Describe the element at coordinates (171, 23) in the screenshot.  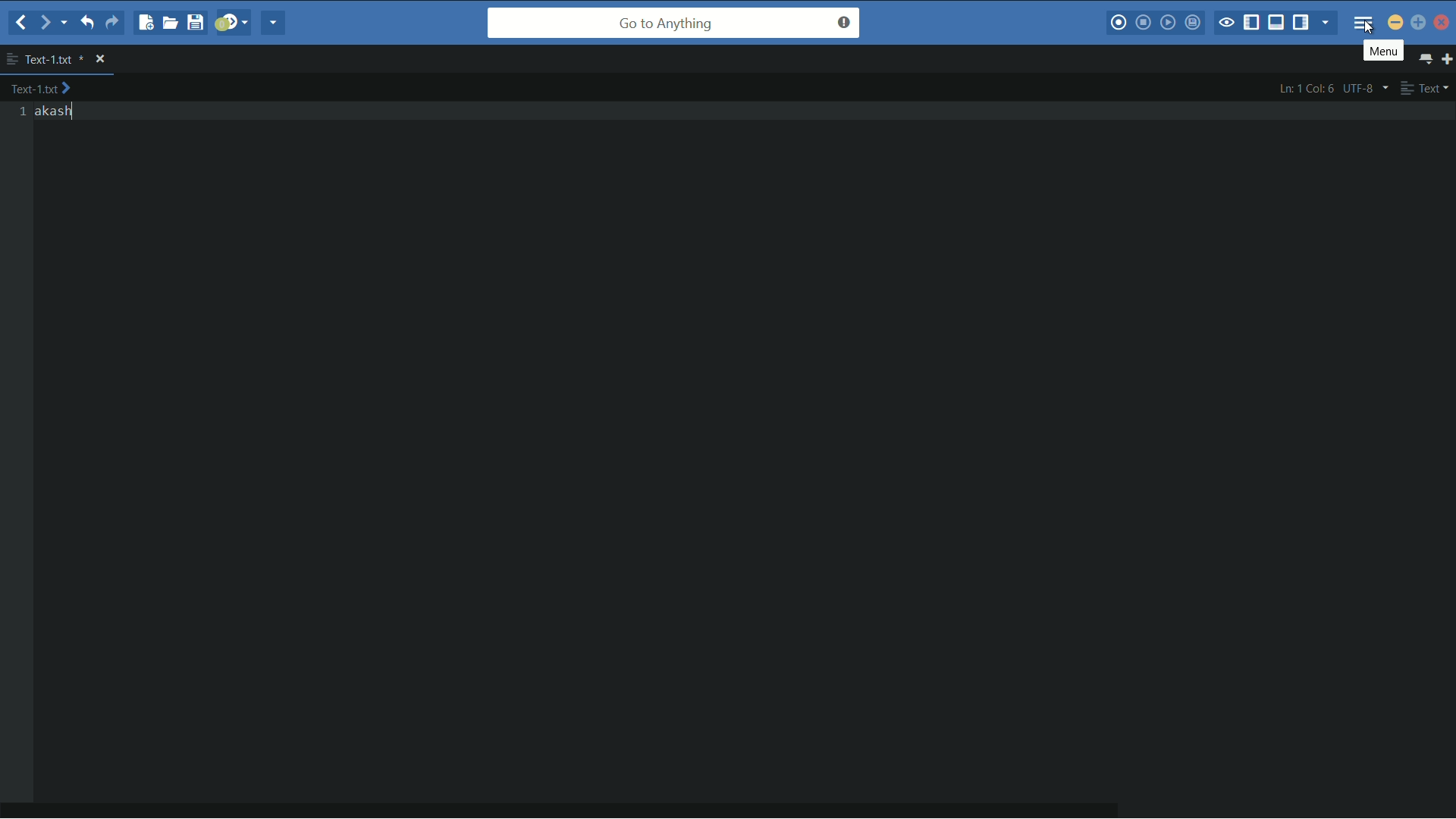
I see `open file` at that location.